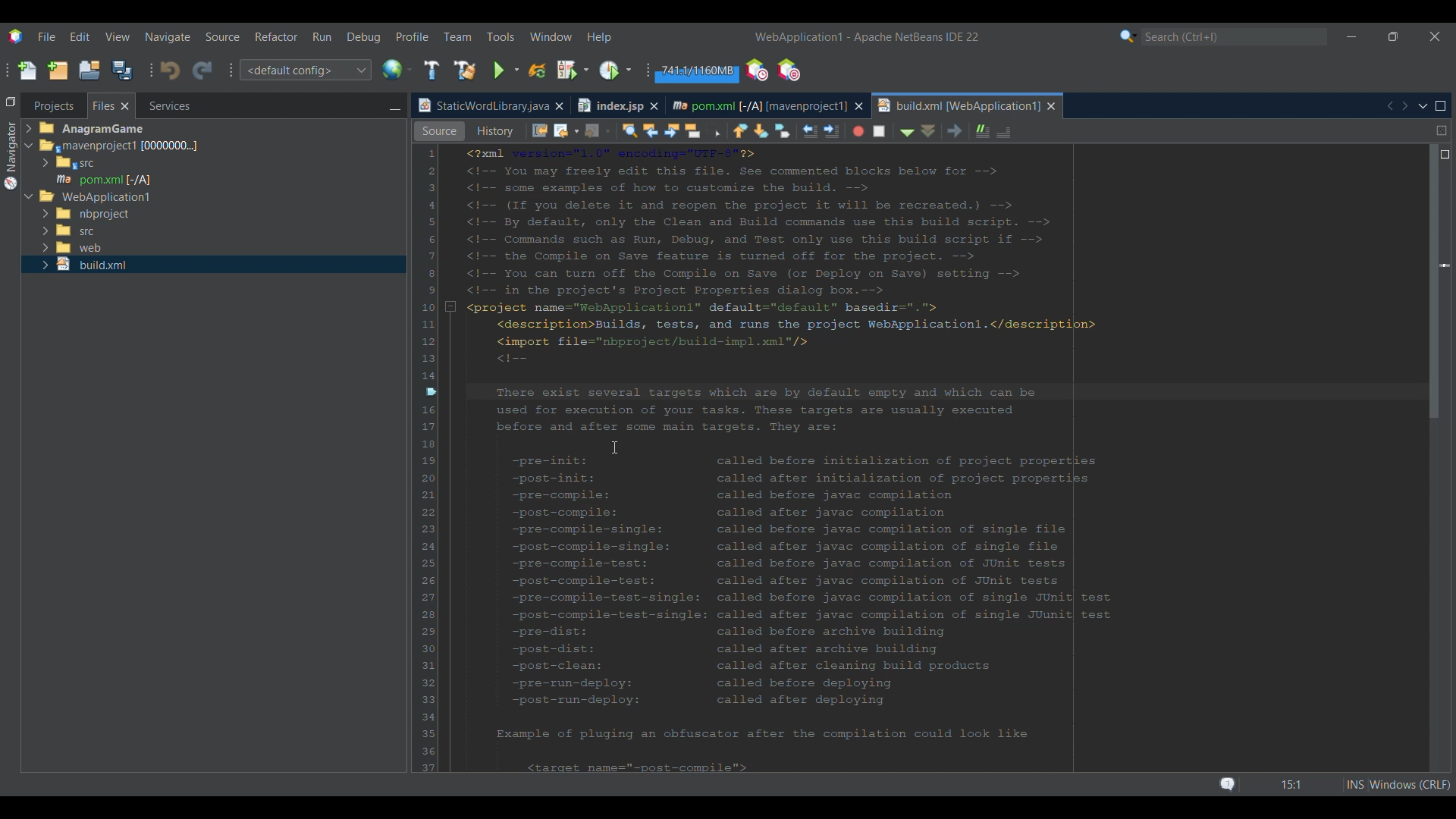 This screenshot has height=819, width=1456. I want to click on Selected tab highlighted, so click(281, 145).